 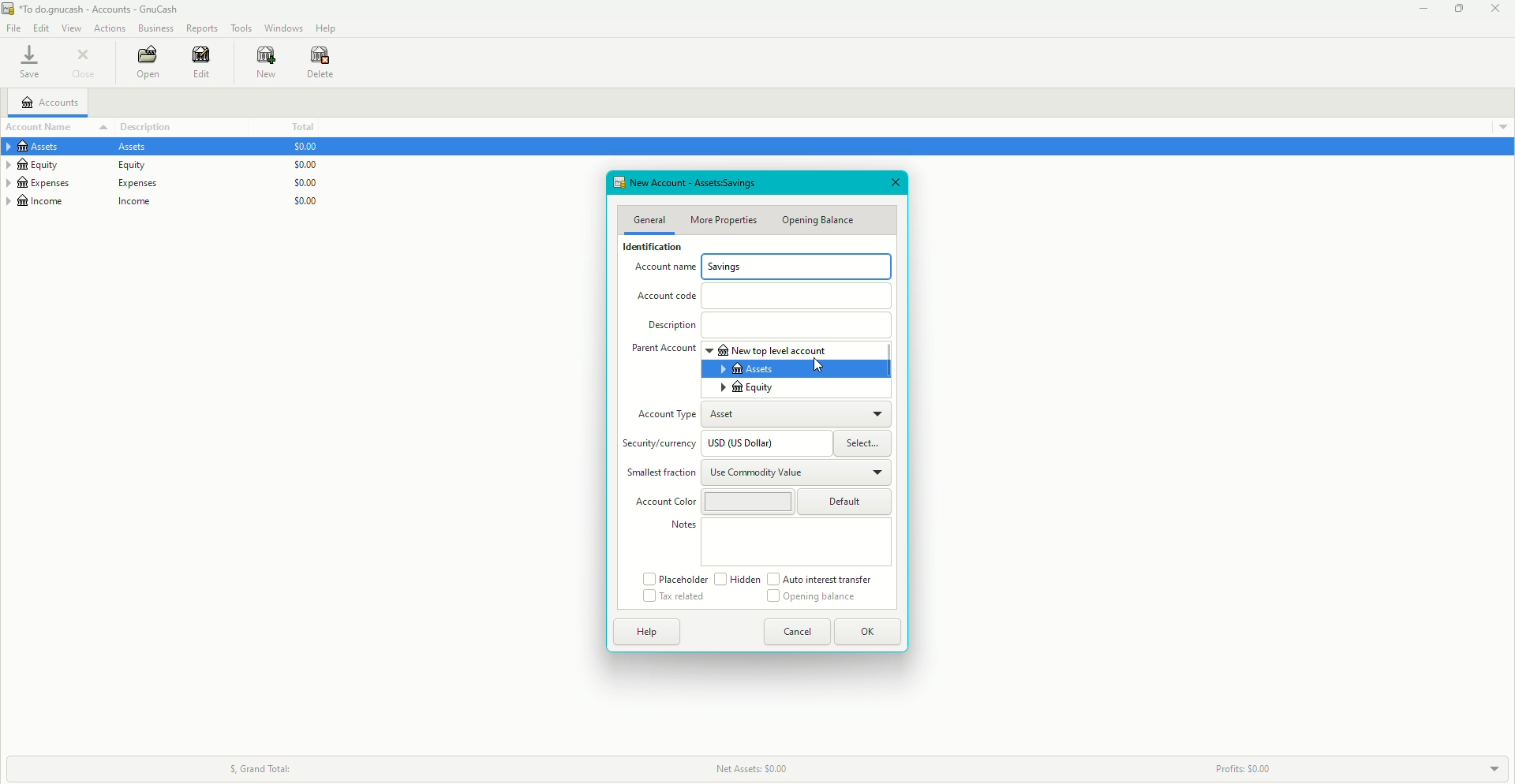 What do you see at coordinates (1240, 768) in the screenshot?
I see `Profits` at bounding box center [1240, 768].